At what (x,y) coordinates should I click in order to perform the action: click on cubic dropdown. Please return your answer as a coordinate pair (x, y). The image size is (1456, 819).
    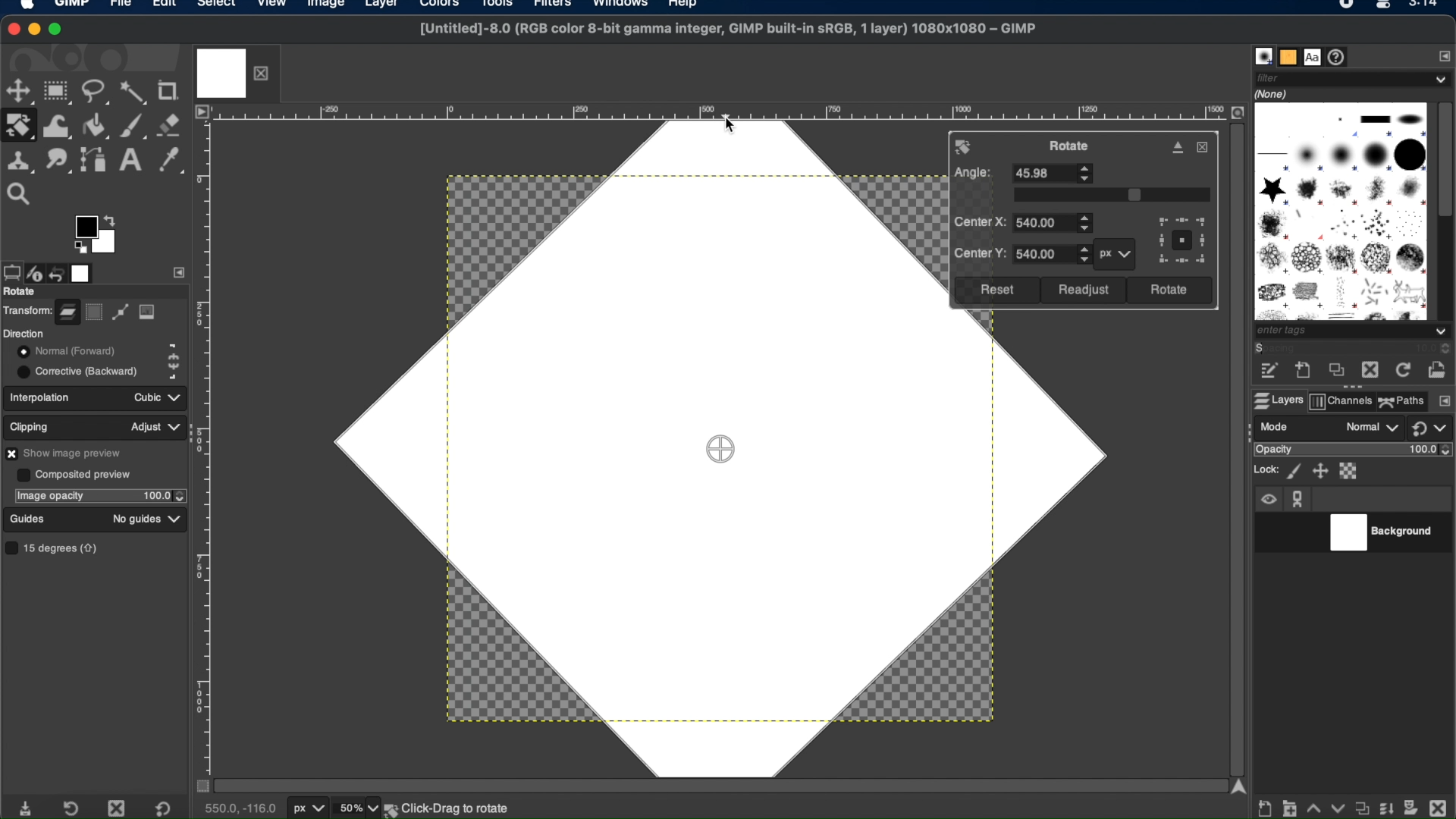
    Looking at the image, I should click on (153, 397).